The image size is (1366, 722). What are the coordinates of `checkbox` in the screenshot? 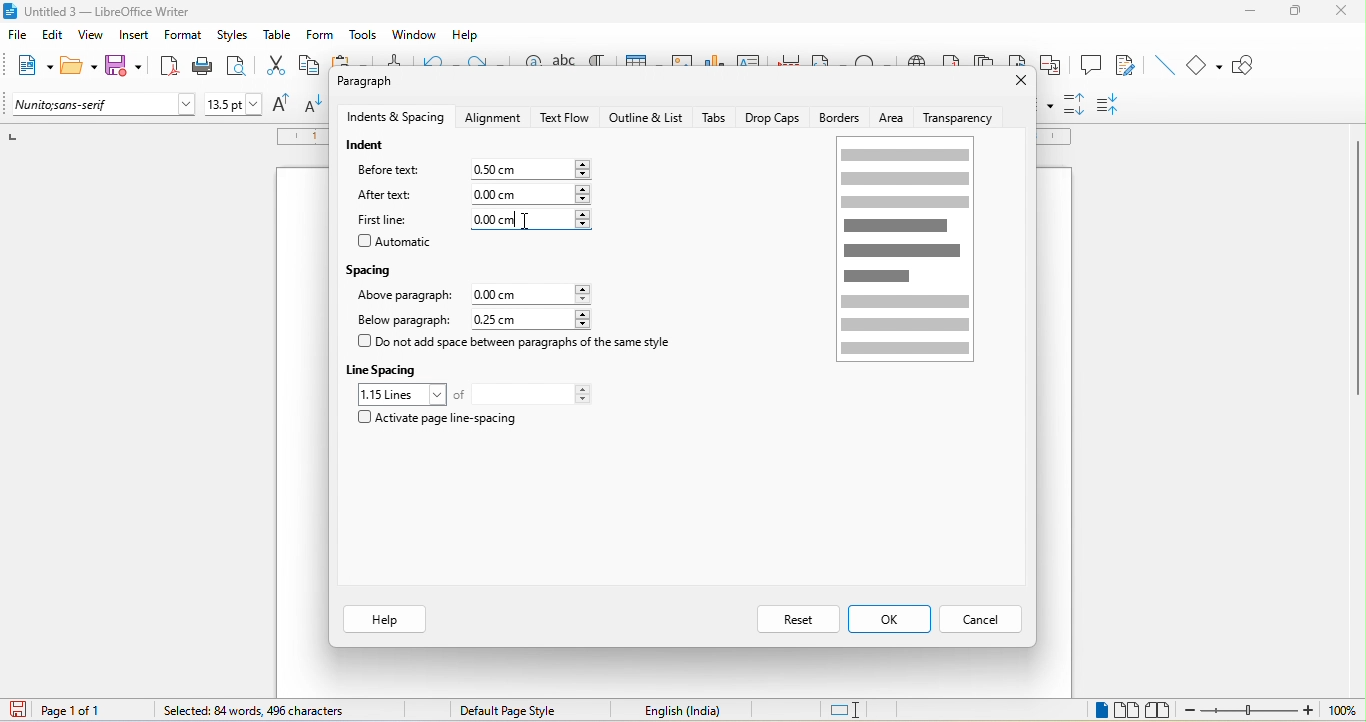 It's located at (364, 240).